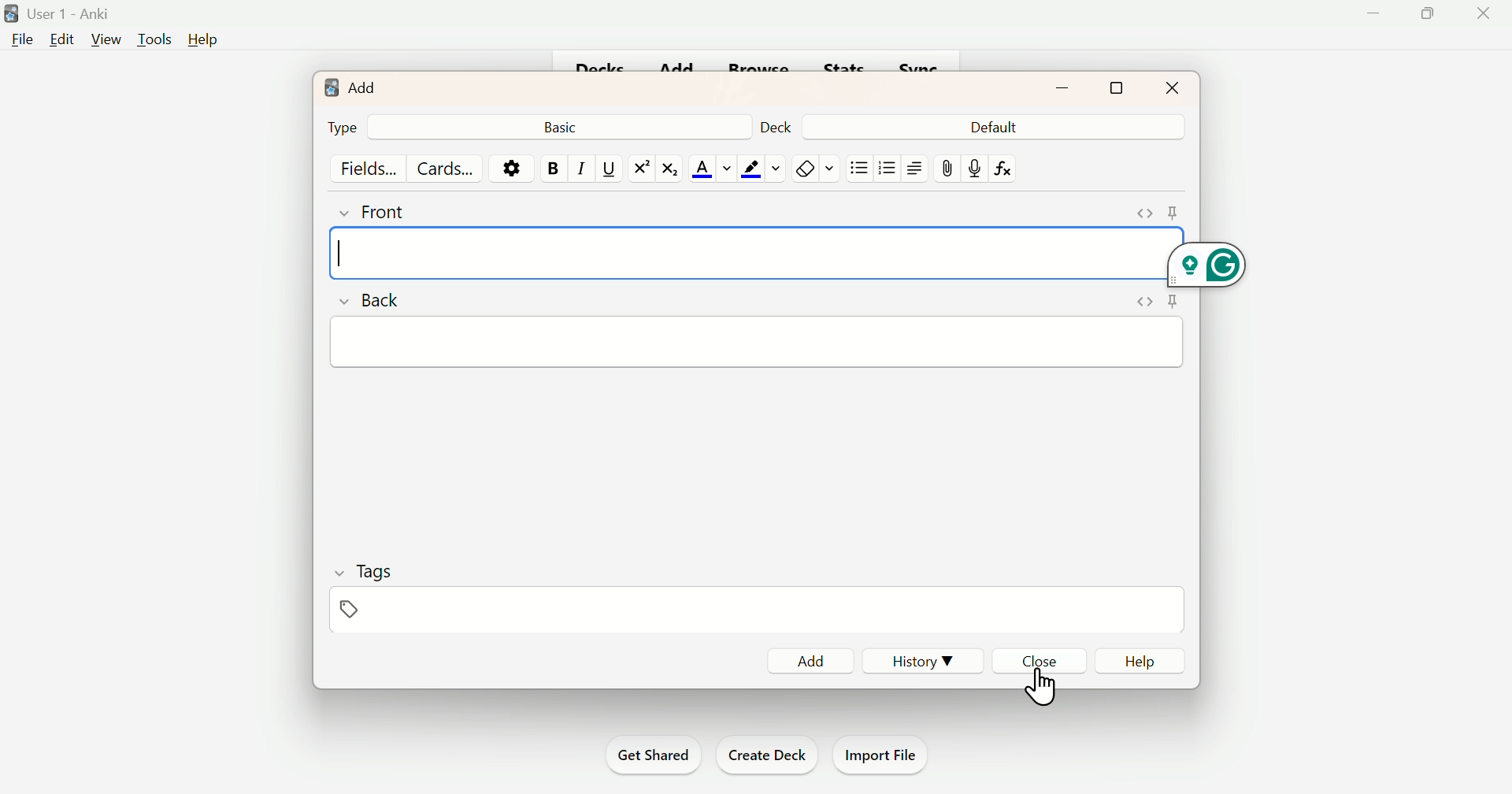  I want to click on Front, so click(387, 216).